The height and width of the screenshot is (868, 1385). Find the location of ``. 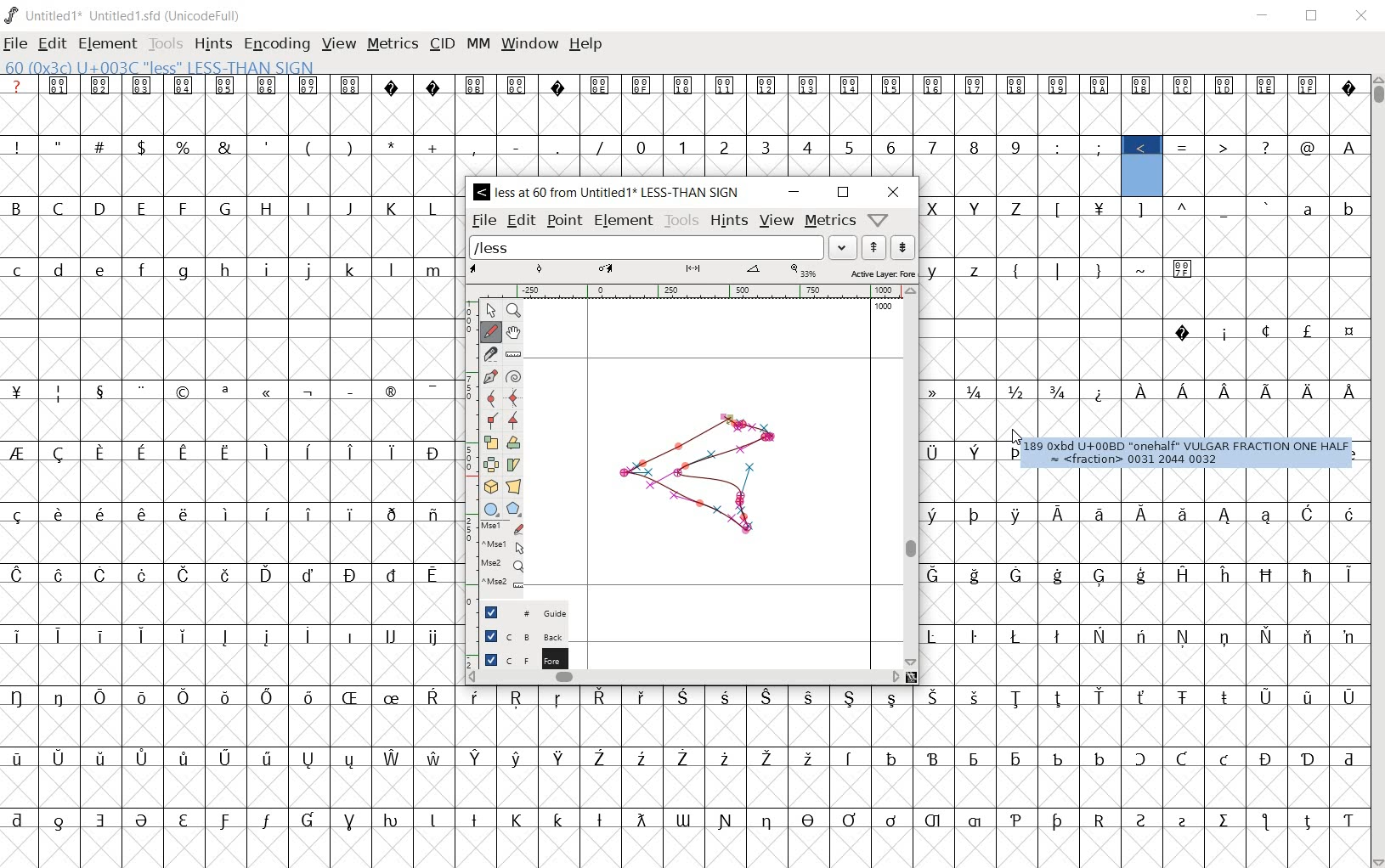

 is located at coordinates (1347, 146).